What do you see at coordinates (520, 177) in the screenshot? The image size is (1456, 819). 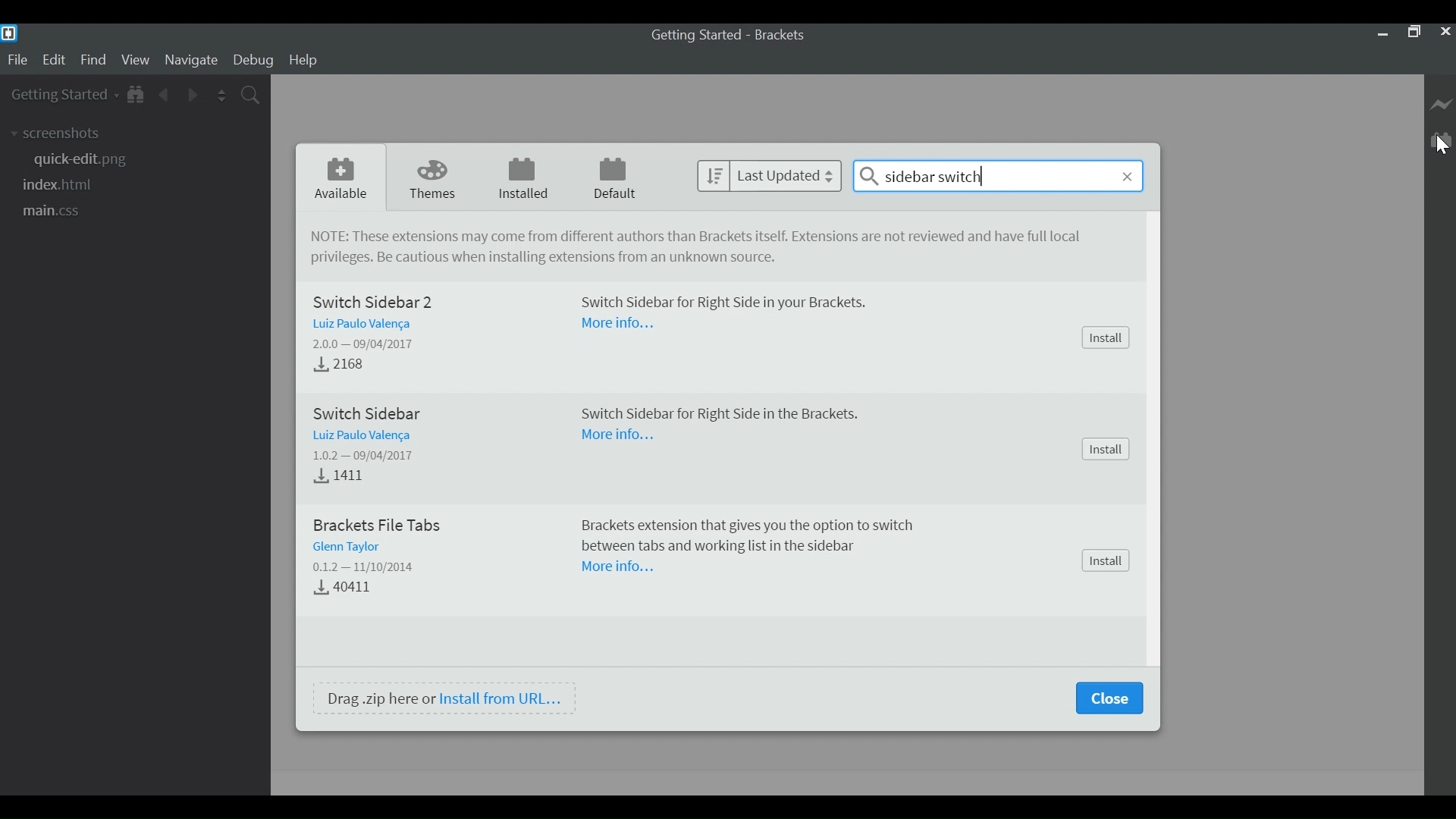 I see `Installed` at bounding box center [520, 177].